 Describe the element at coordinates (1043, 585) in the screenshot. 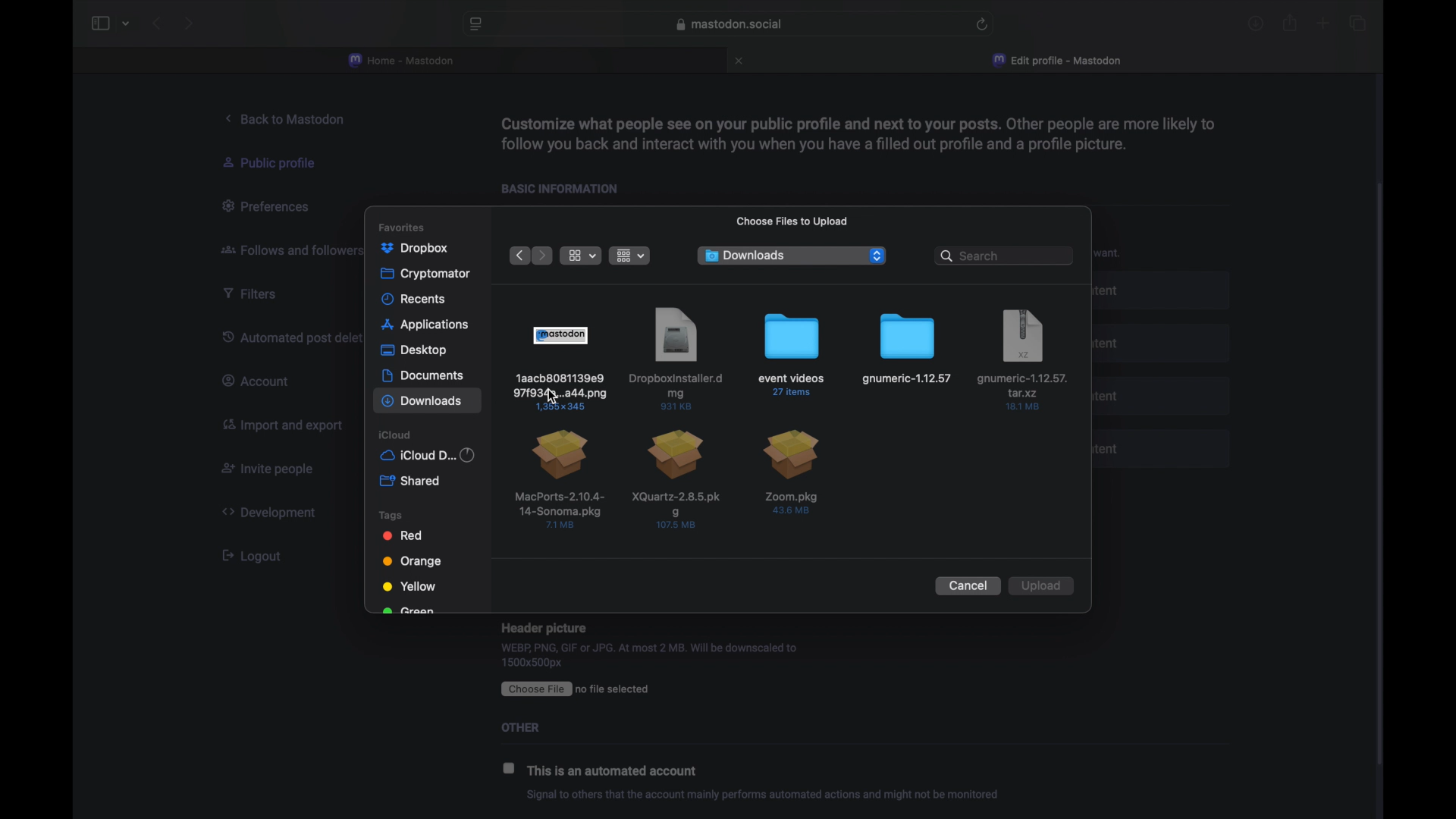

I see `upload` at that location.